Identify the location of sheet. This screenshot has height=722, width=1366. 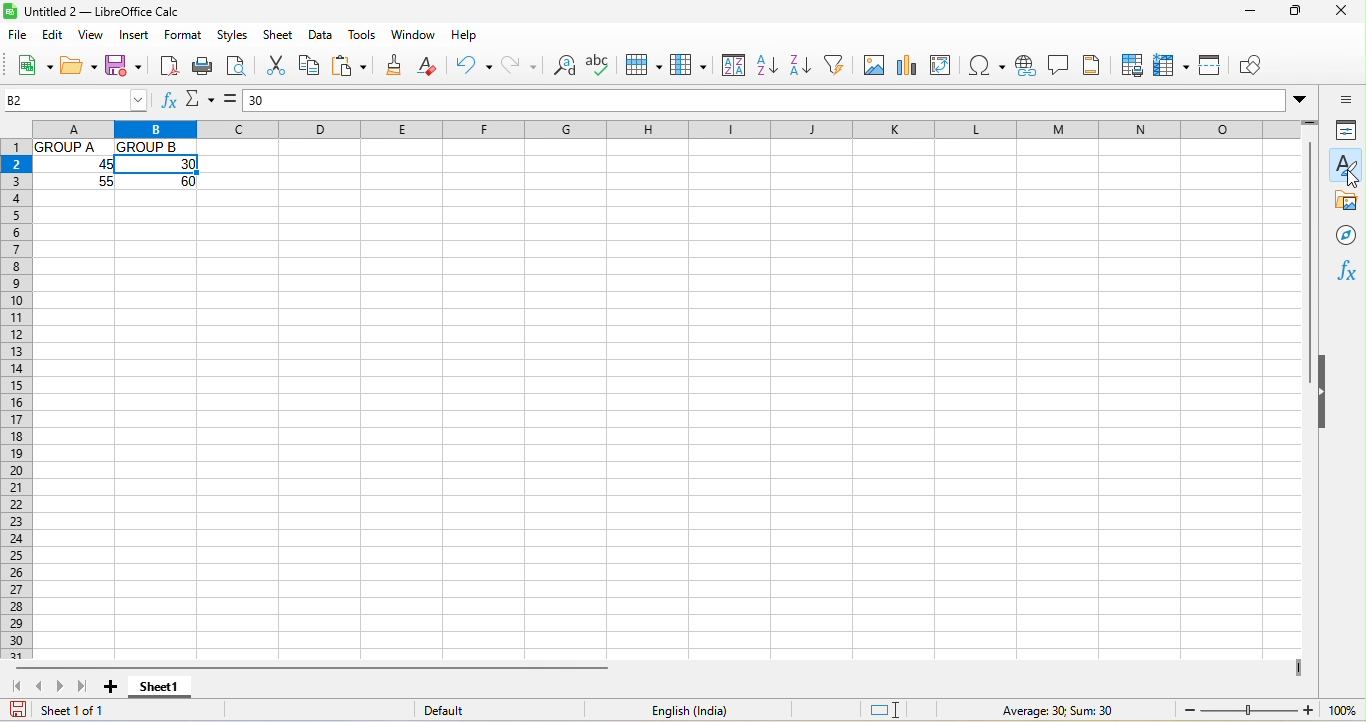
(280, 35).